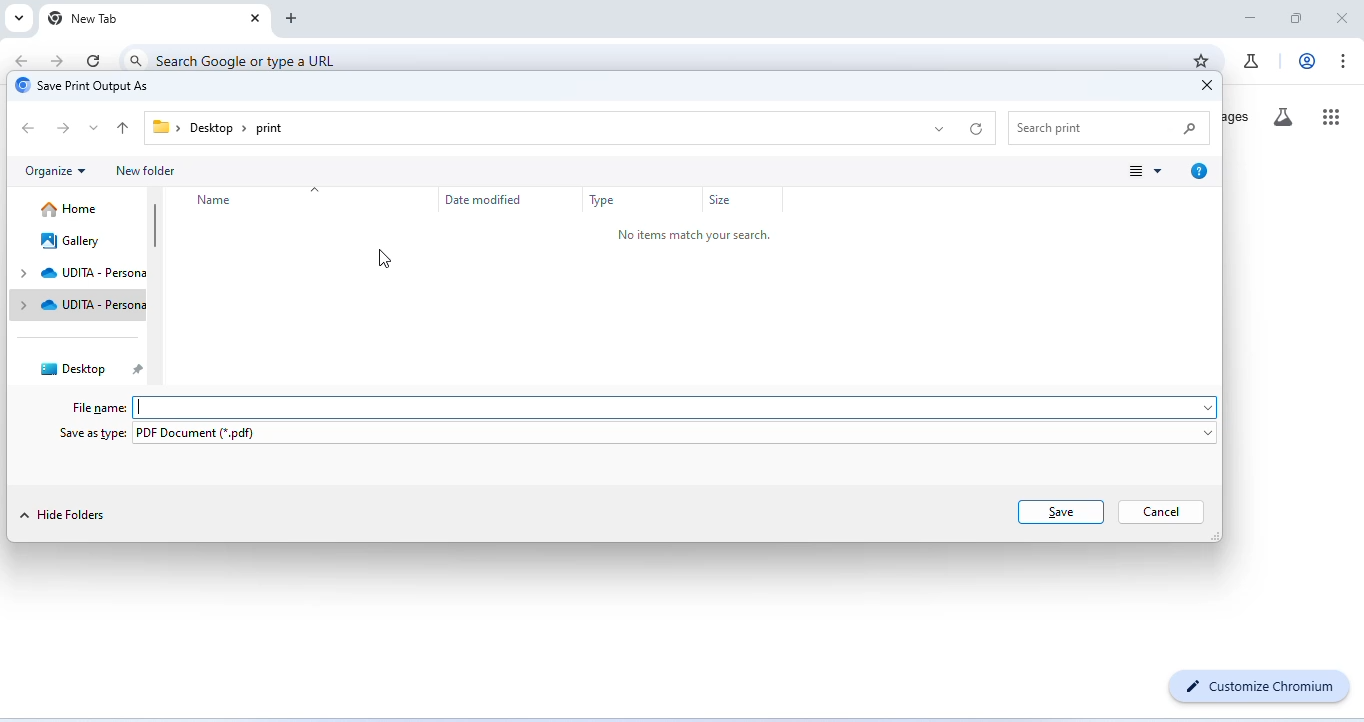  Describe the element at coordinates (125, 130) in the screenshot. I see `up to previous folder` at that location.